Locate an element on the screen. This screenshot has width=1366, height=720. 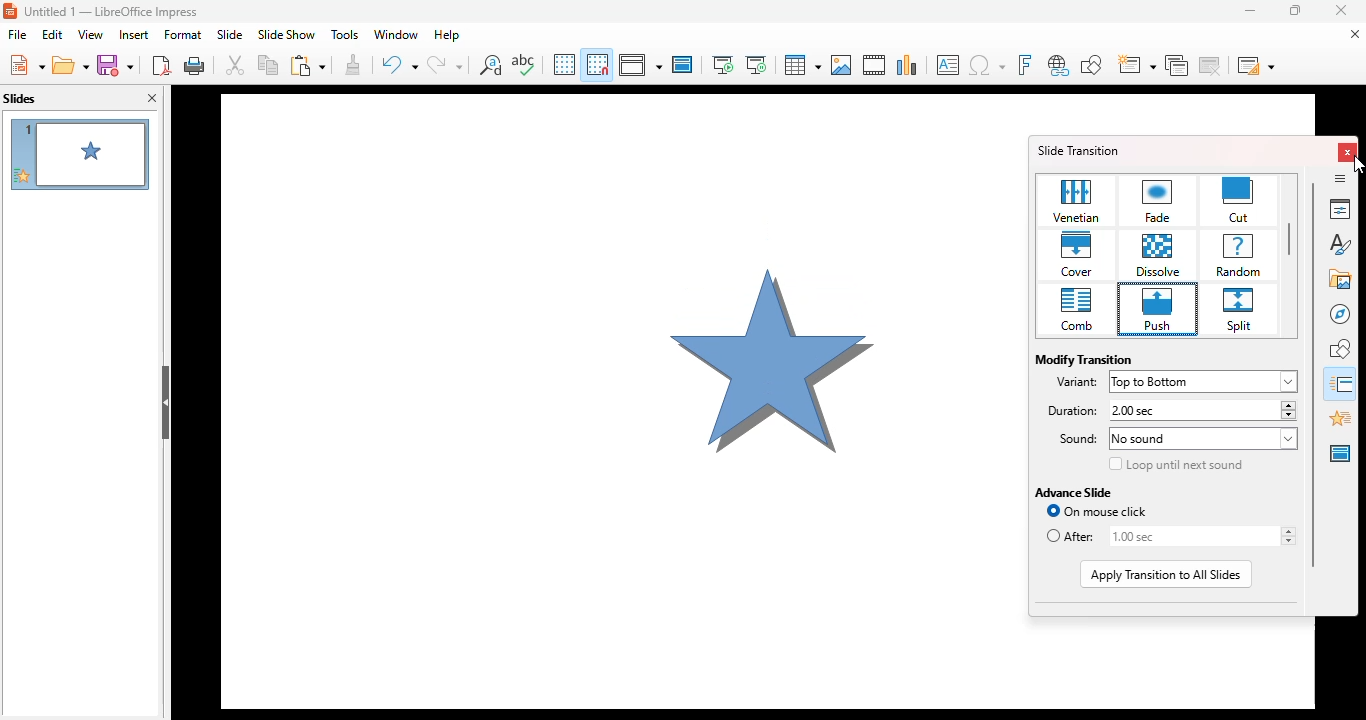
close is located at coordinates (1349, 152).